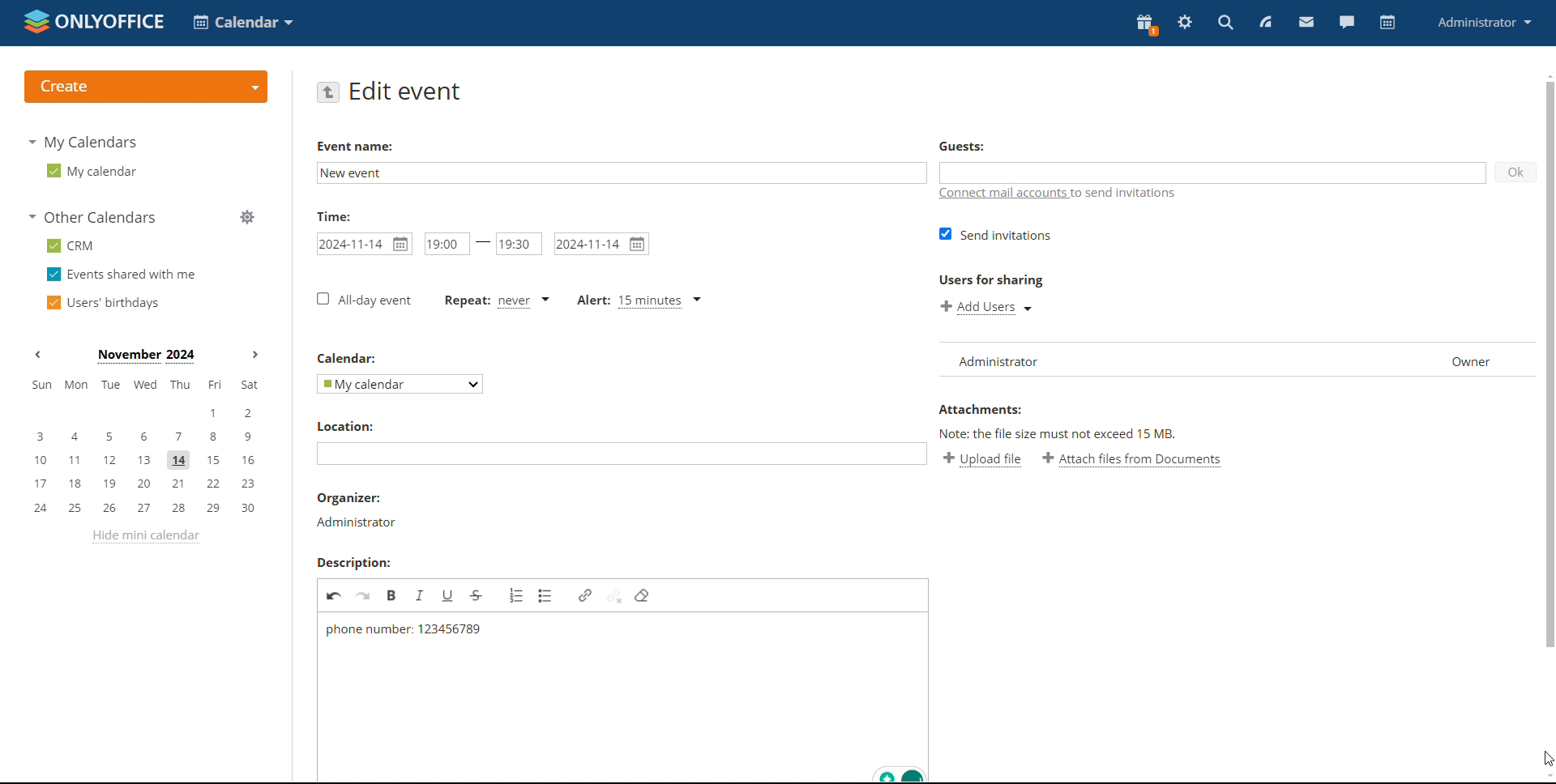  What do you see at coordinates (644, 596) in the screenshot?
I see `remove filter` at bounding box center [644, 596].